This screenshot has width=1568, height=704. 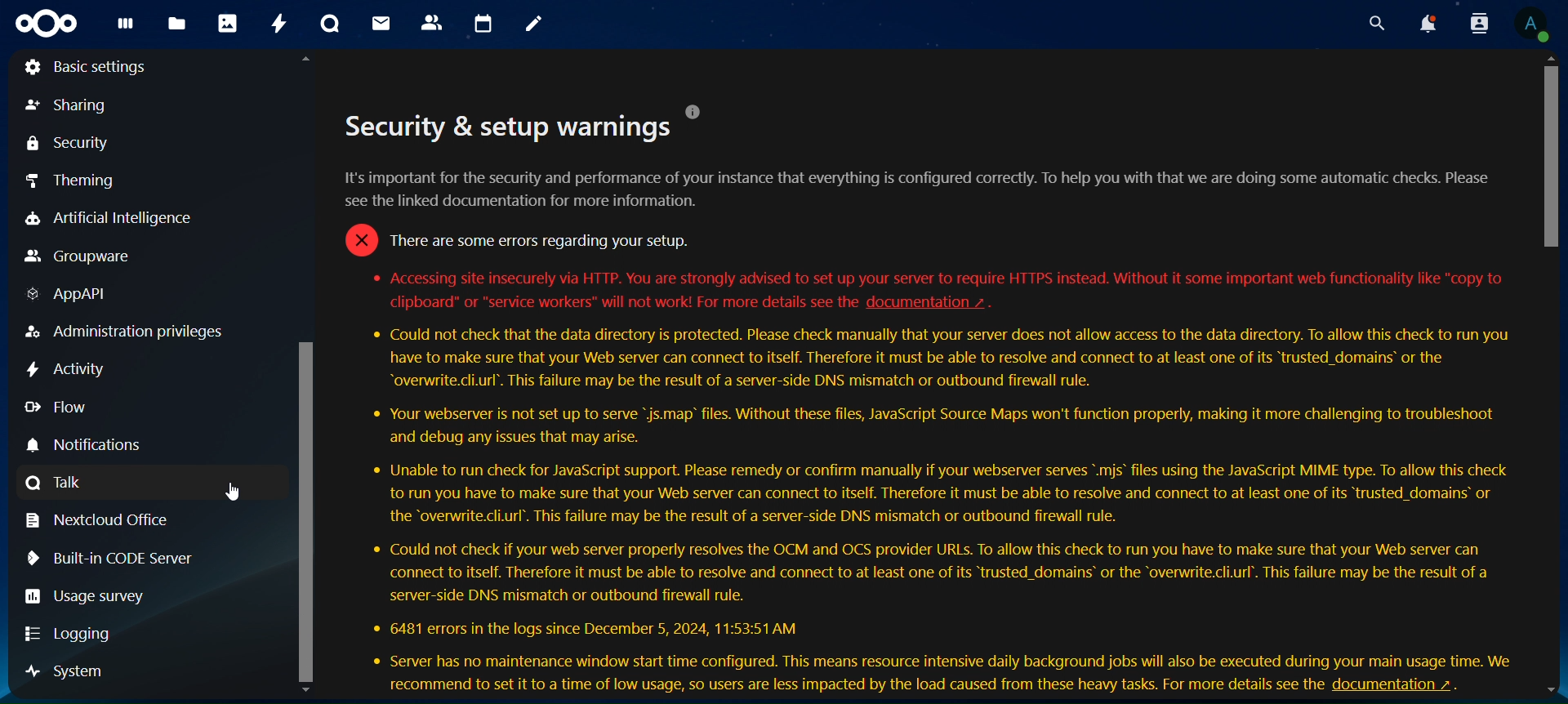 What do you see at coordinates (924, 213) in the screenshot?
I see `text` at bounding box center [924, 213].